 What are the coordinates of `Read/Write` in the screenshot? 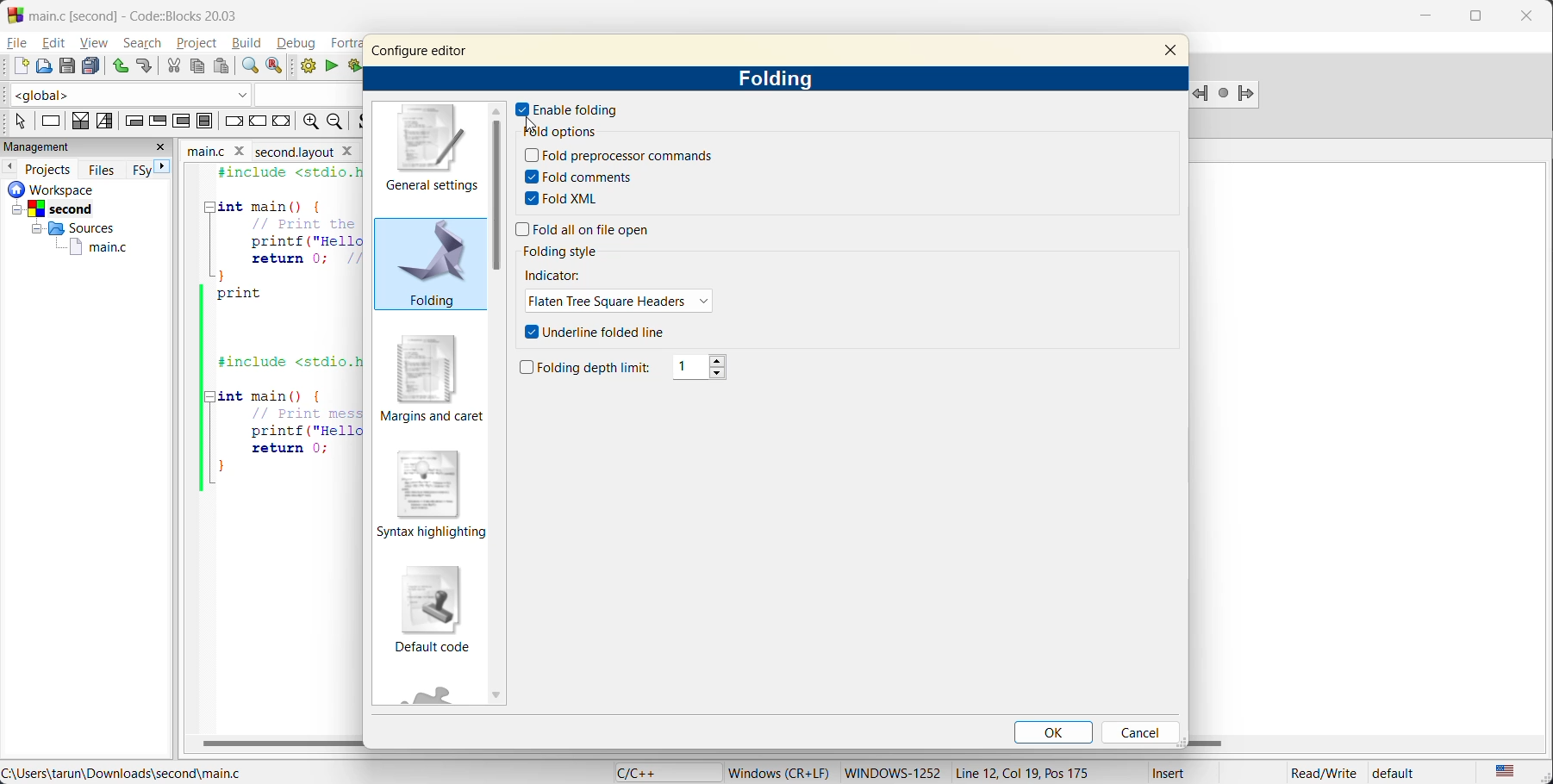 It's located at (1323, 771).